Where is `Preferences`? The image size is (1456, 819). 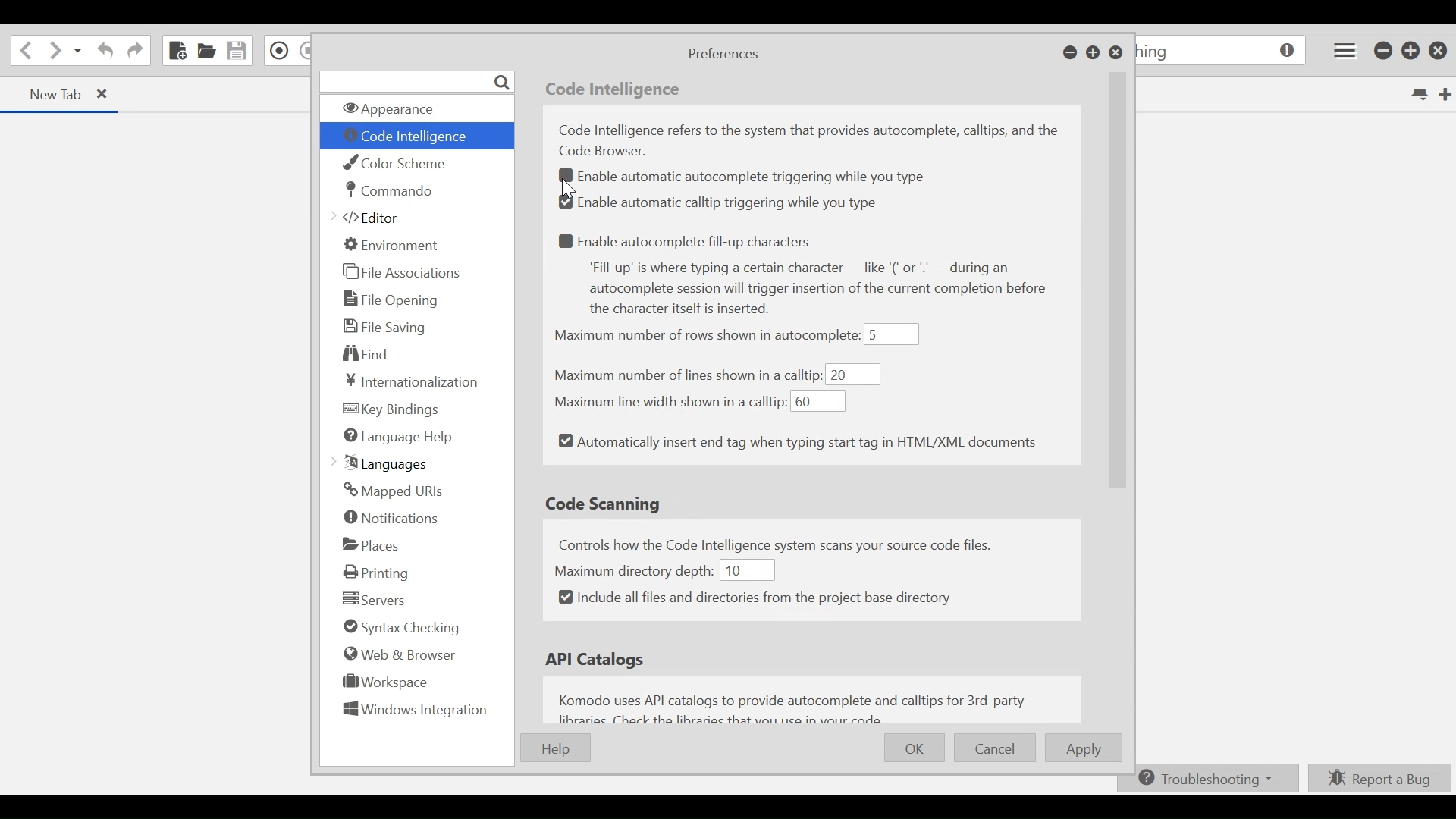 Preferences is located at coordinates (722, 55).